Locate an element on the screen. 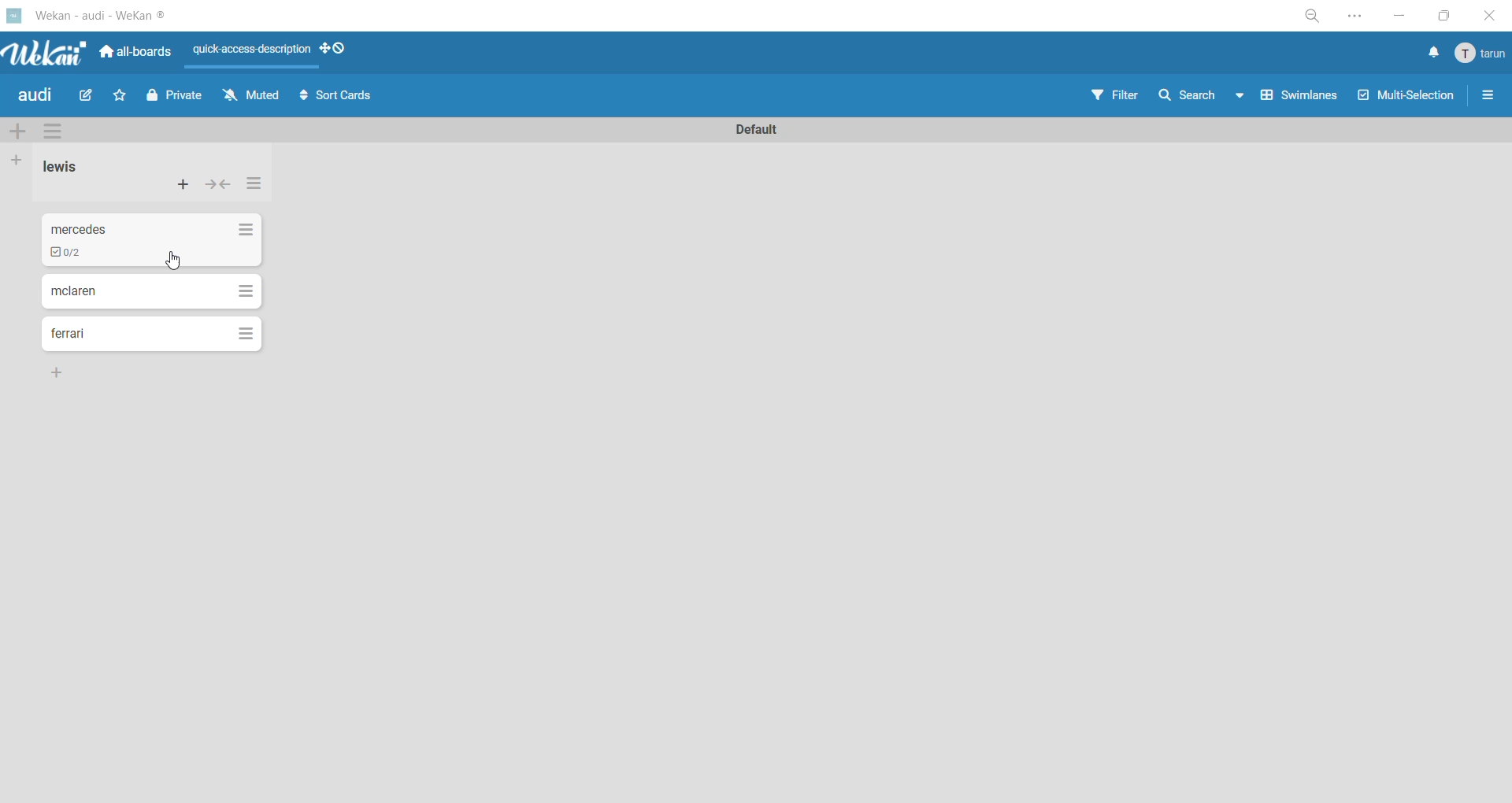  quick access description is located at coordinates (251, 50).